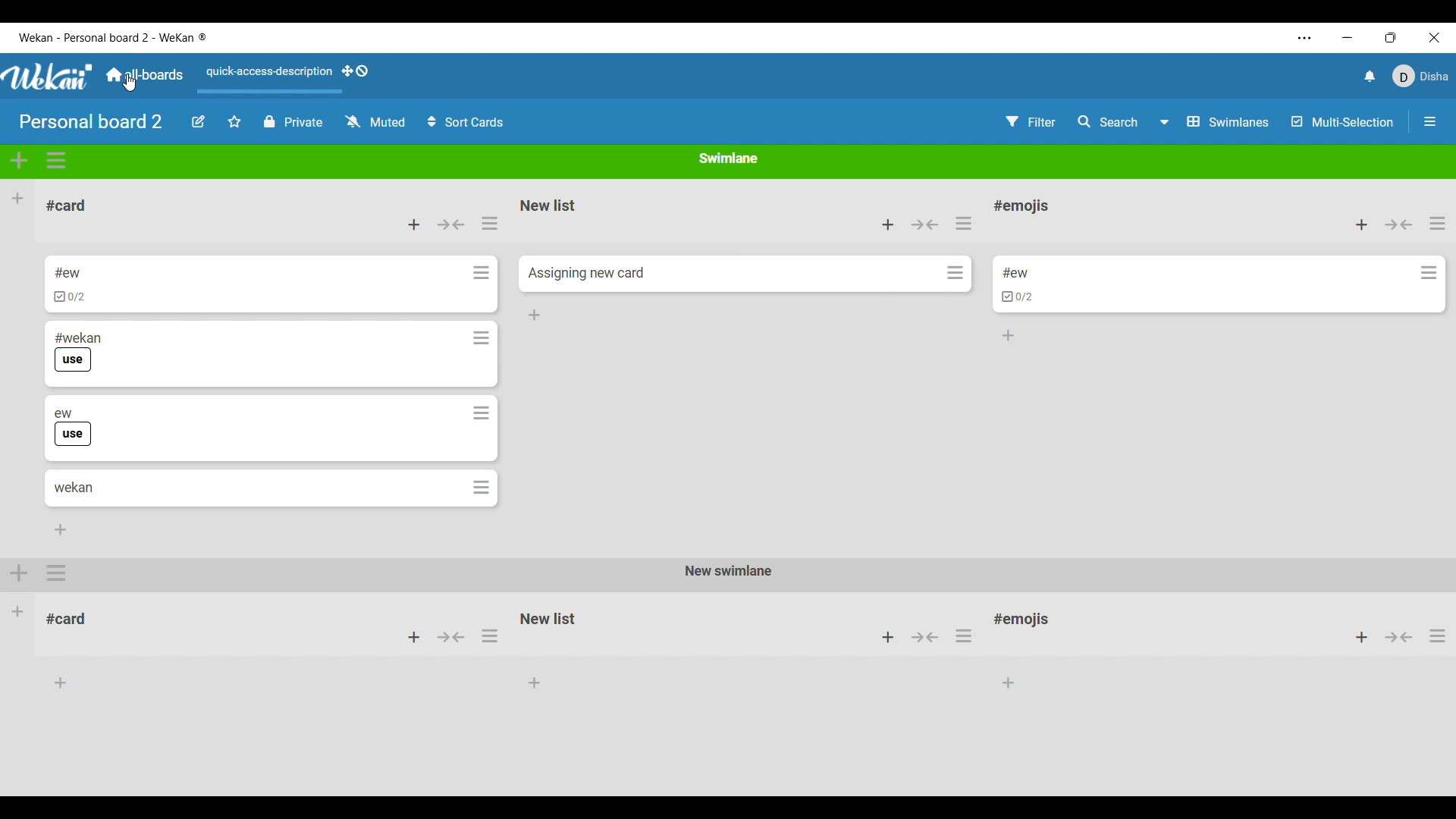 The height and width of the screenshot is (819, 1456). I want to click on Add card to bottom of list, so click(61, 529).